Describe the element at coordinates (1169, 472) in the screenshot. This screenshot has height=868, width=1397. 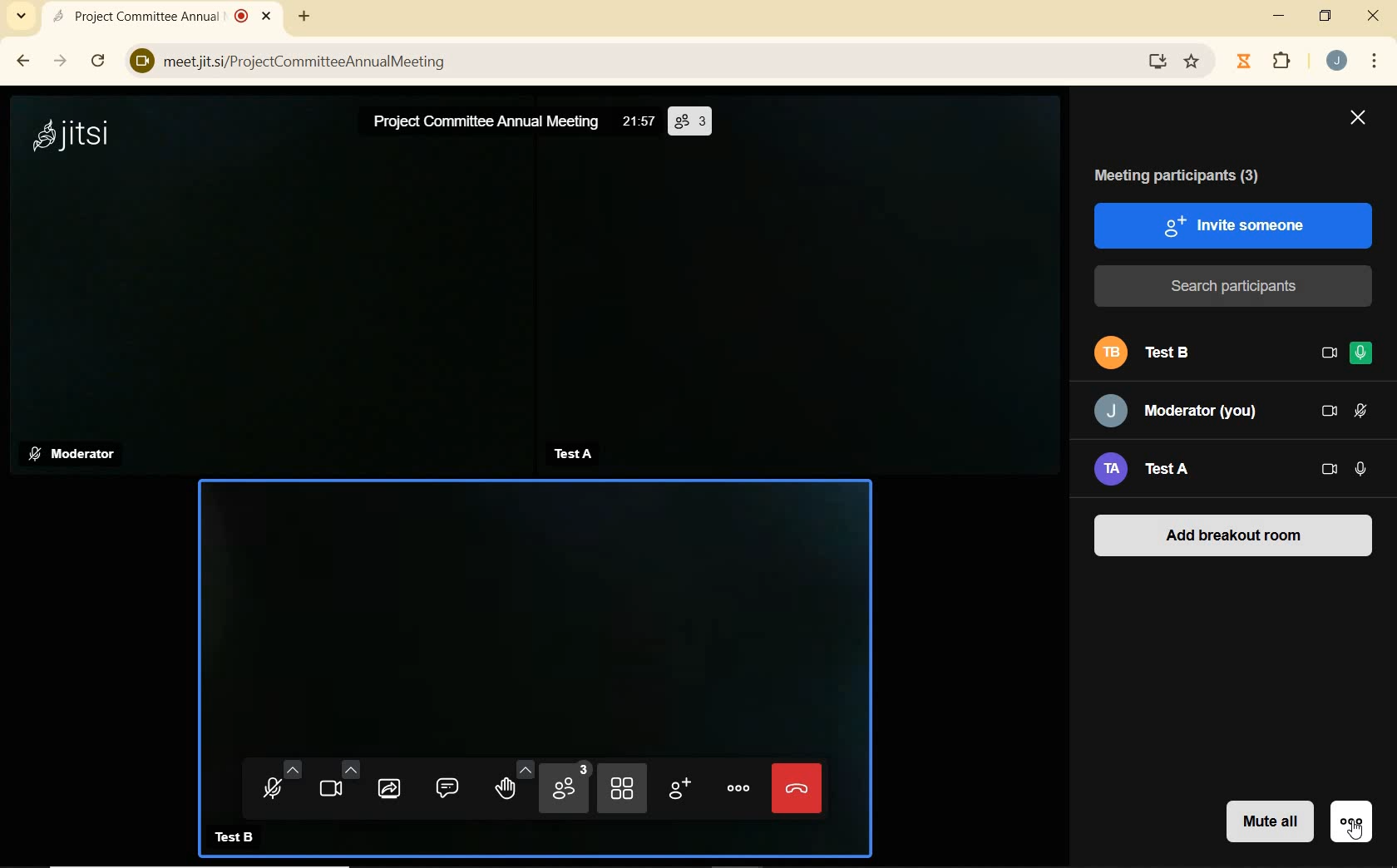
I see `Test A` at that location.